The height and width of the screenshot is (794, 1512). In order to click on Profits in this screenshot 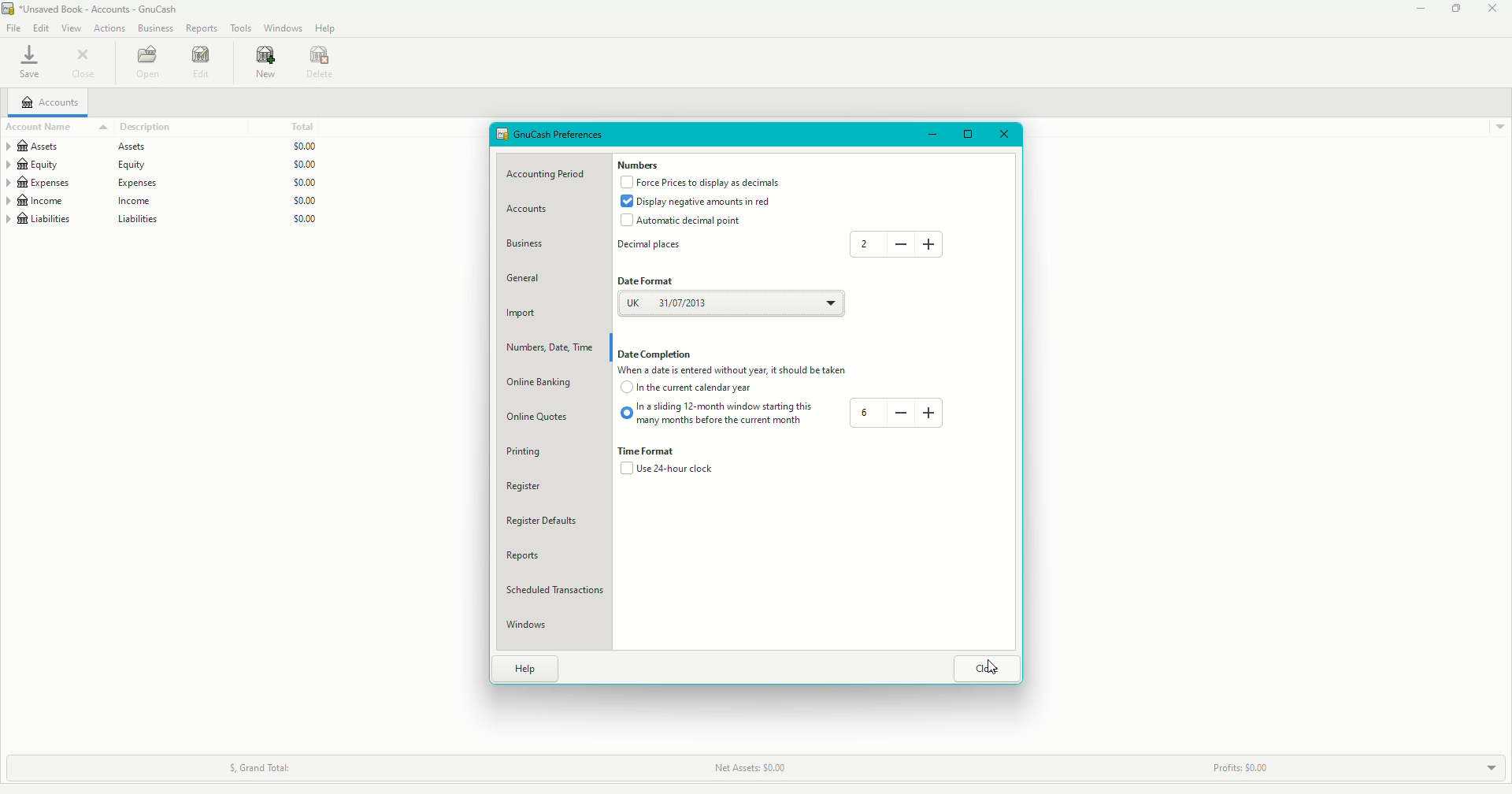, I will do `click(1253, 763)`.